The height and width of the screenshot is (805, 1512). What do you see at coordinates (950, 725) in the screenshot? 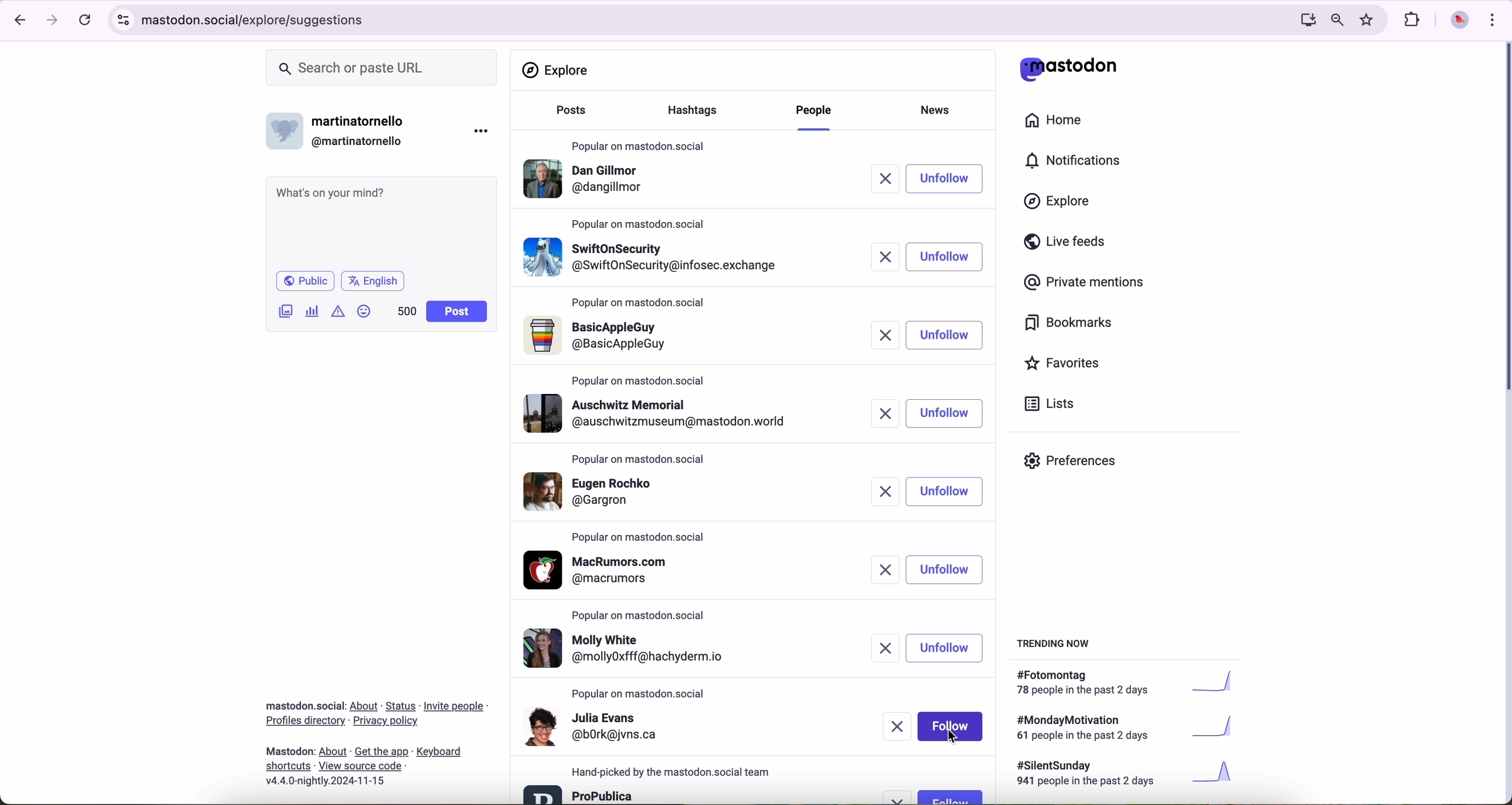
I see `click on follow` at bounding box center [950, 725].